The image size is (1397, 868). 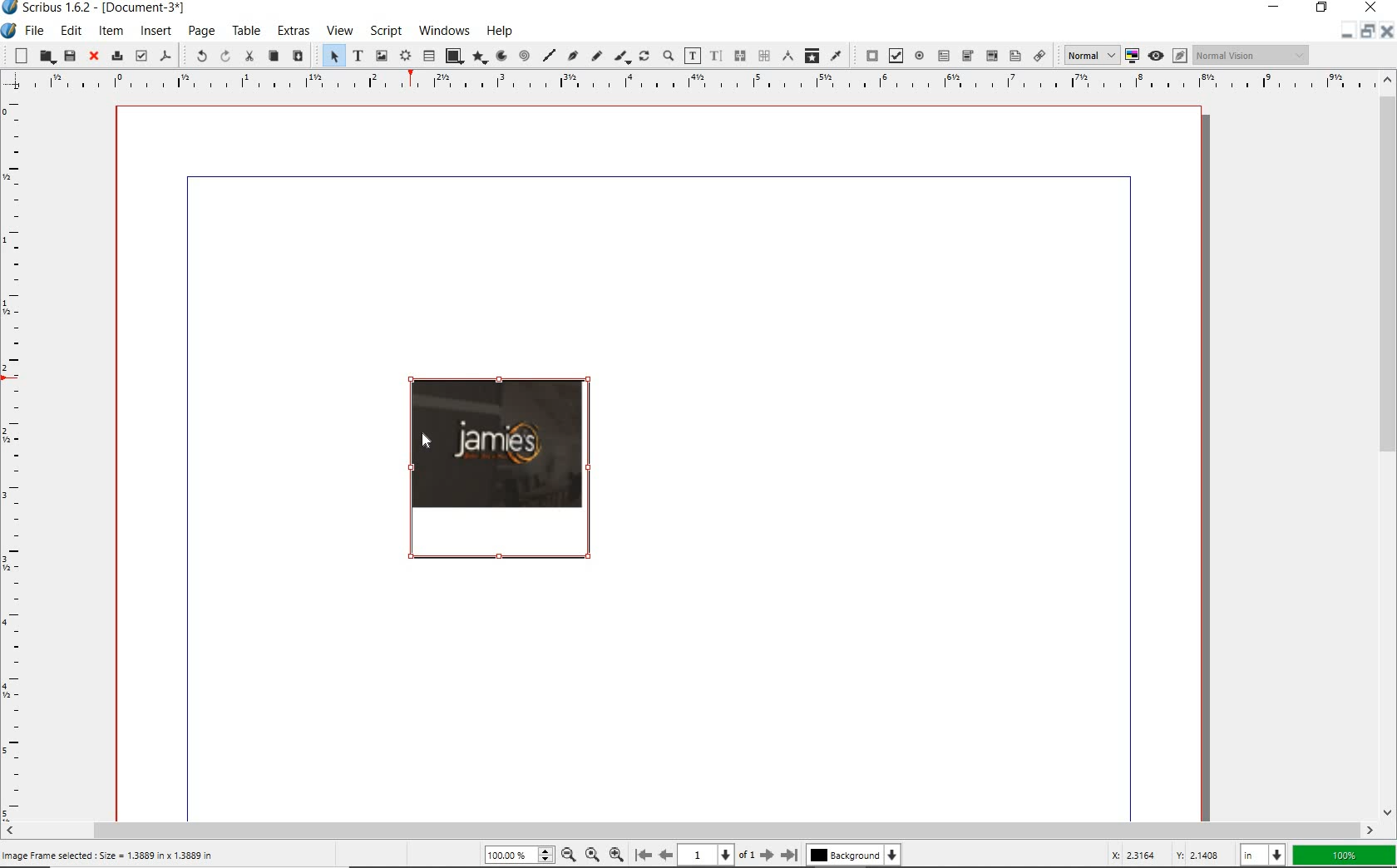 What do you see at coordinates (785, 56) in the screenshot?
I see `measurements` at bounding box center [785, 56].